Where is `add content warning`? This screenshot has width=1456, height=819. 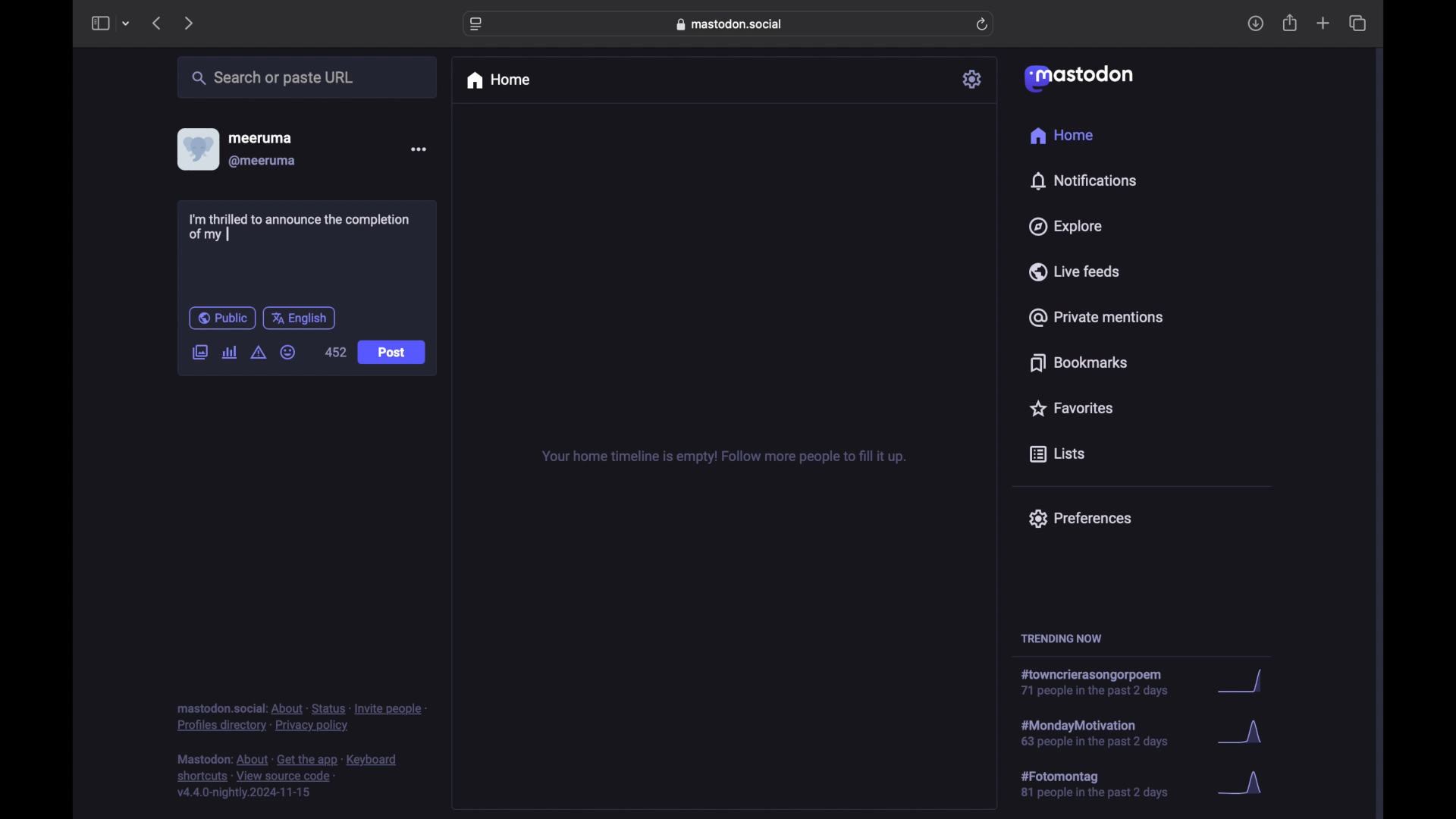
add content warning is located at coordinates (260, 353).